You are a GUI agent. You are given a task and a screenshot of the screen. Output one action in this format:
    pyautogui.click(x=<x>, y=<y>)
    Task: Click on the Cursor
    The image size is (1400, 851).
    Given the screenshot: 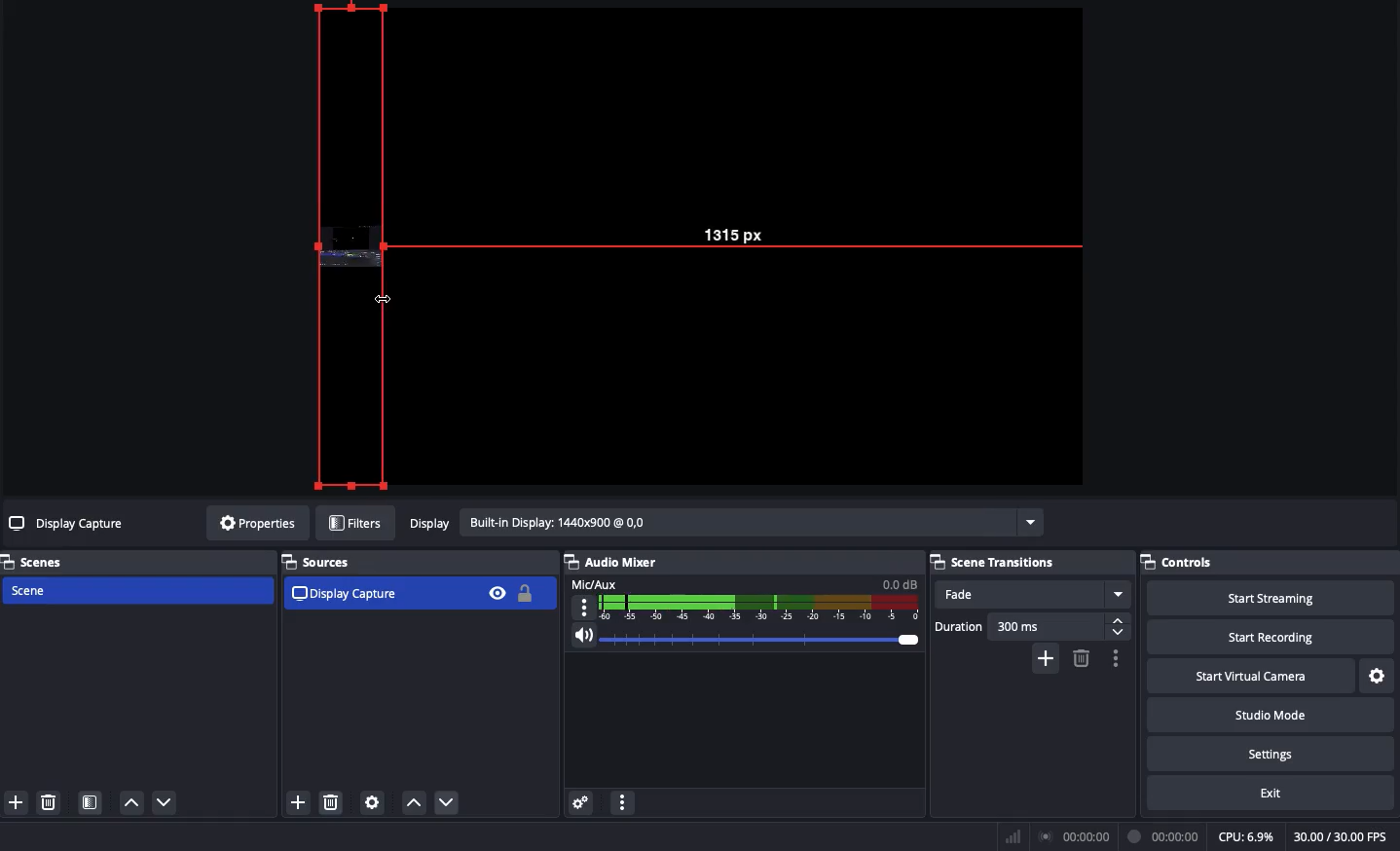 What is the action you would take?
    pyautogui.click(x=387, y=299)
    